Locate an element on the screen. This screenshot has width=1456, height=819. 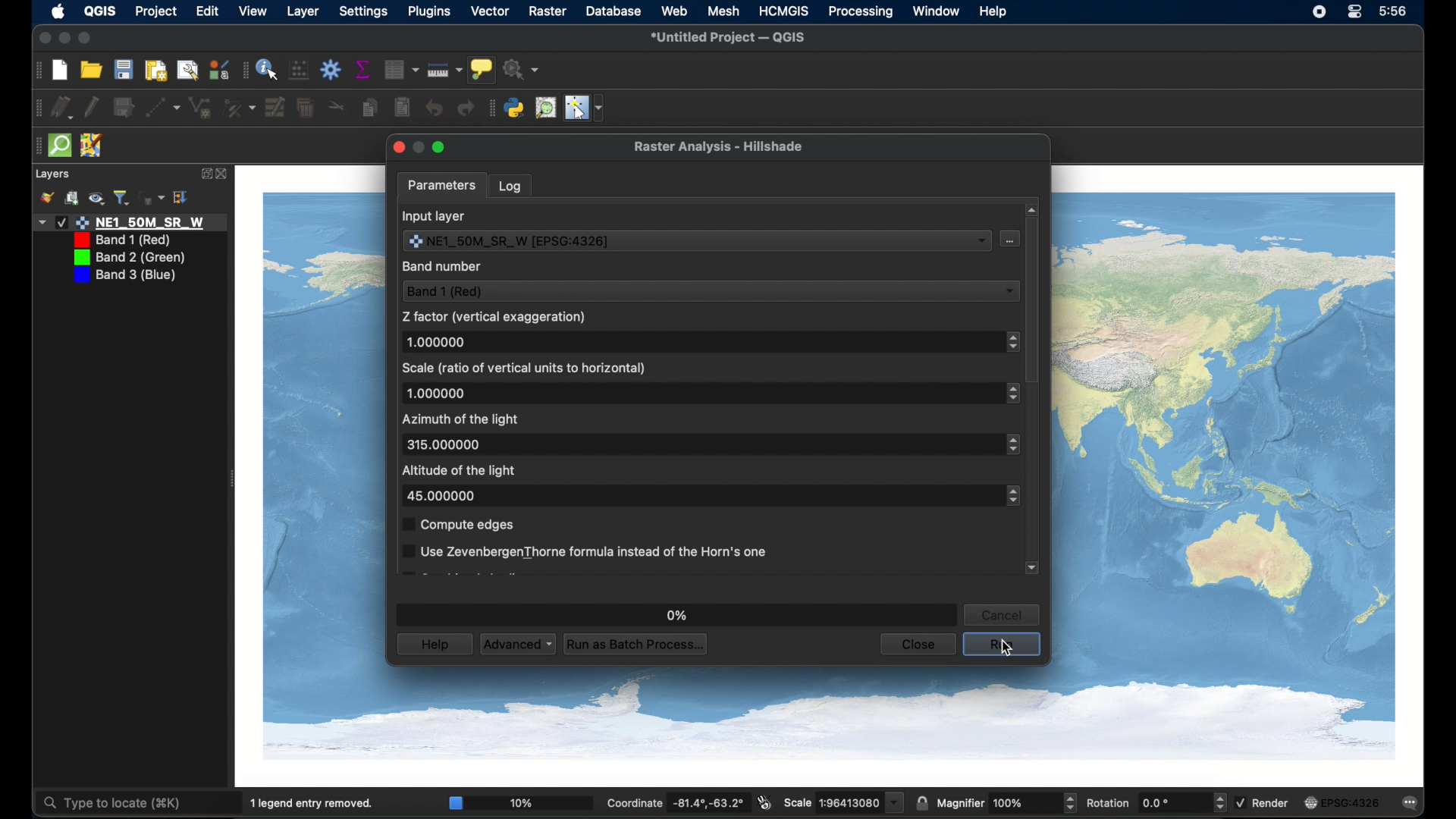
pointer cursor is located at coordinates (1008, 643).